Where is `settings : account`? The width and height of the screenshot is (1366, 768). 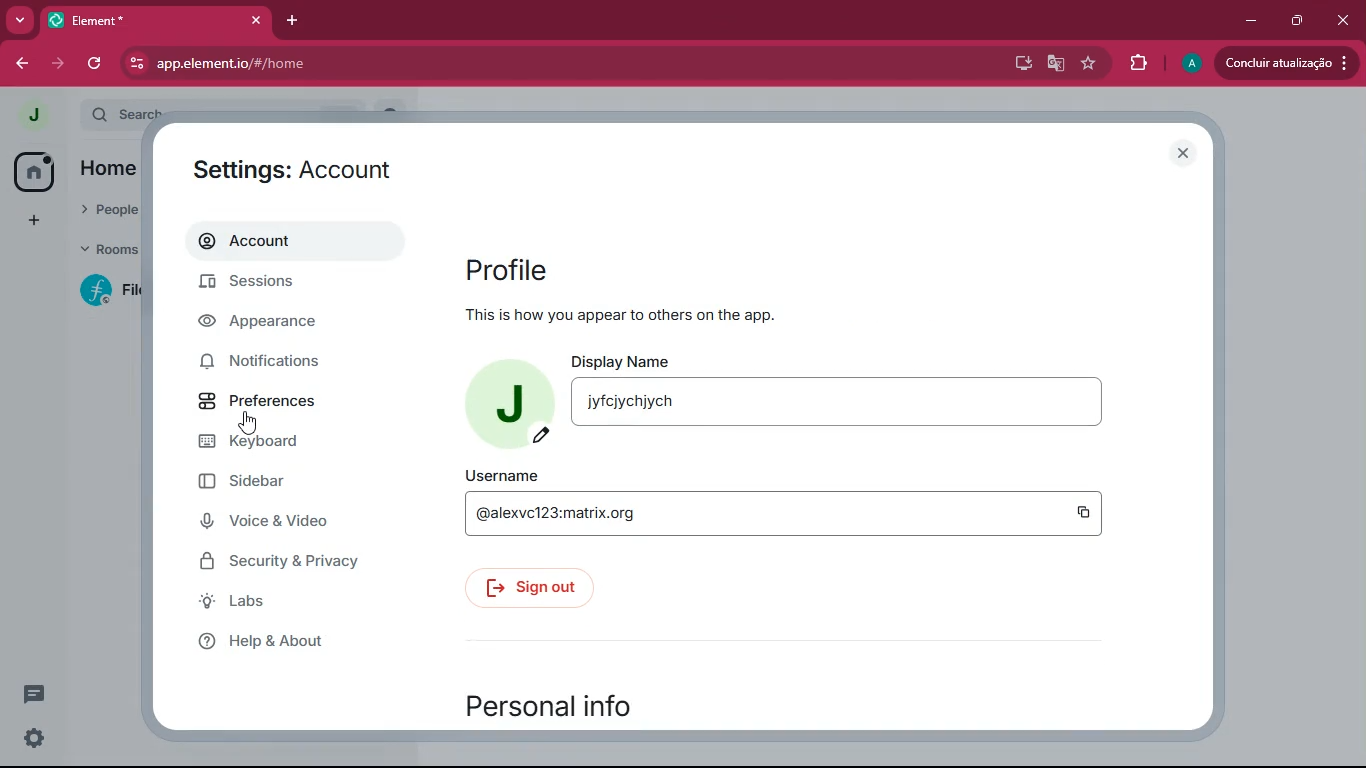
settings : account is located at coordinates (289, 168).